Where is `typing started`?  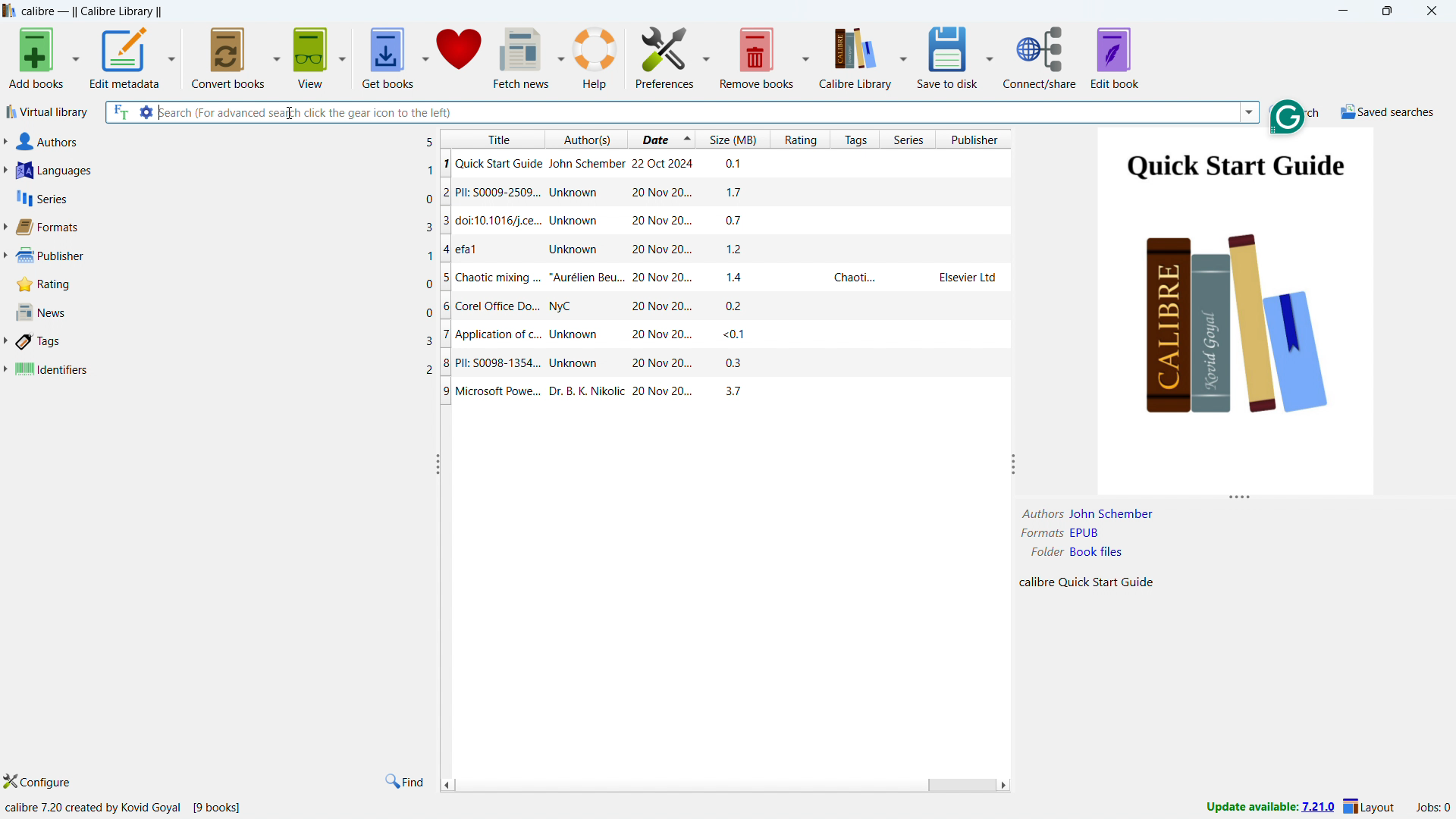 typing started is located at coordinates (159, 111).